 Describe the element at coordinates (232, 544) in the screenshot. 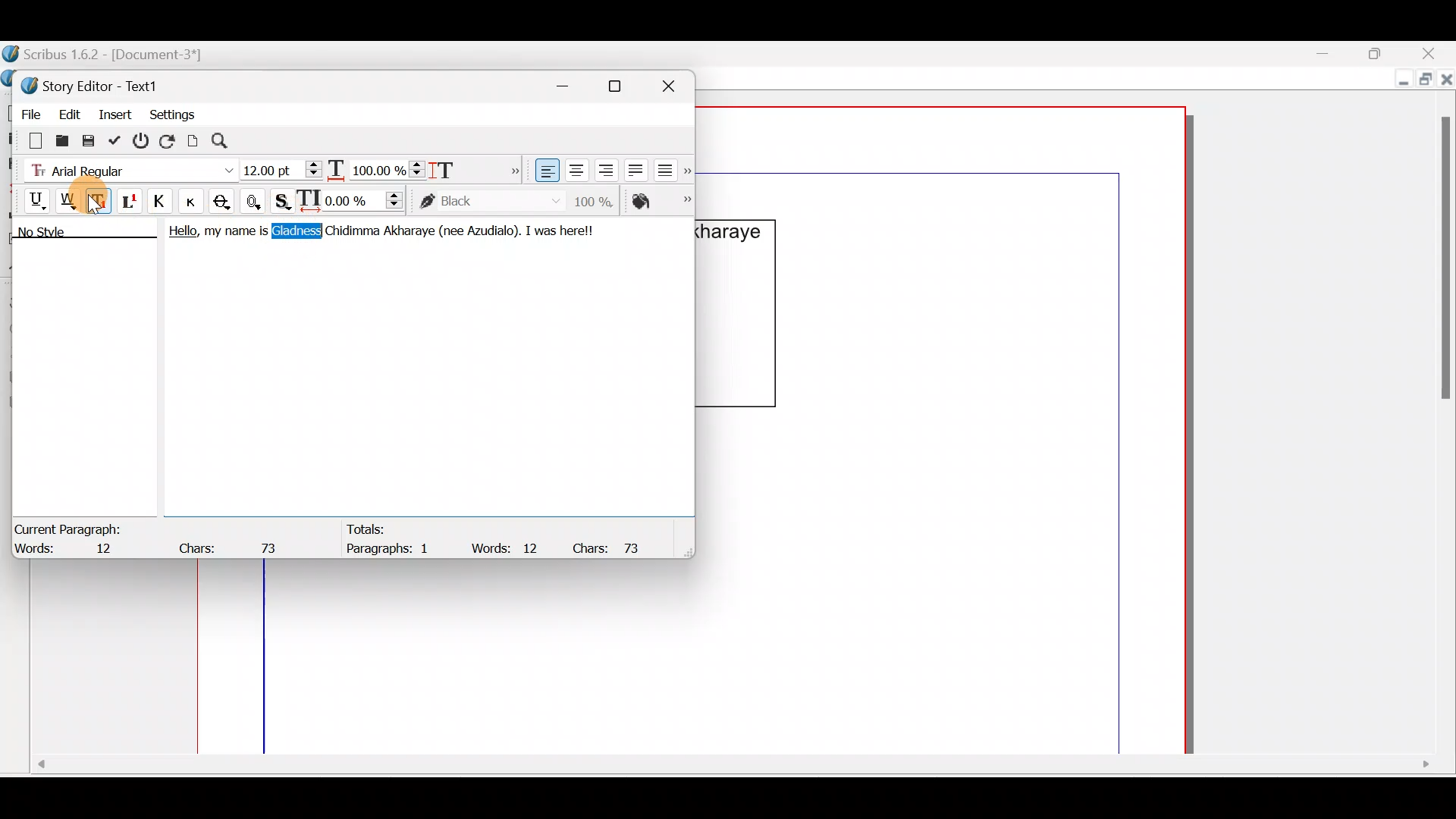

I see `Chars: 73` at that location.